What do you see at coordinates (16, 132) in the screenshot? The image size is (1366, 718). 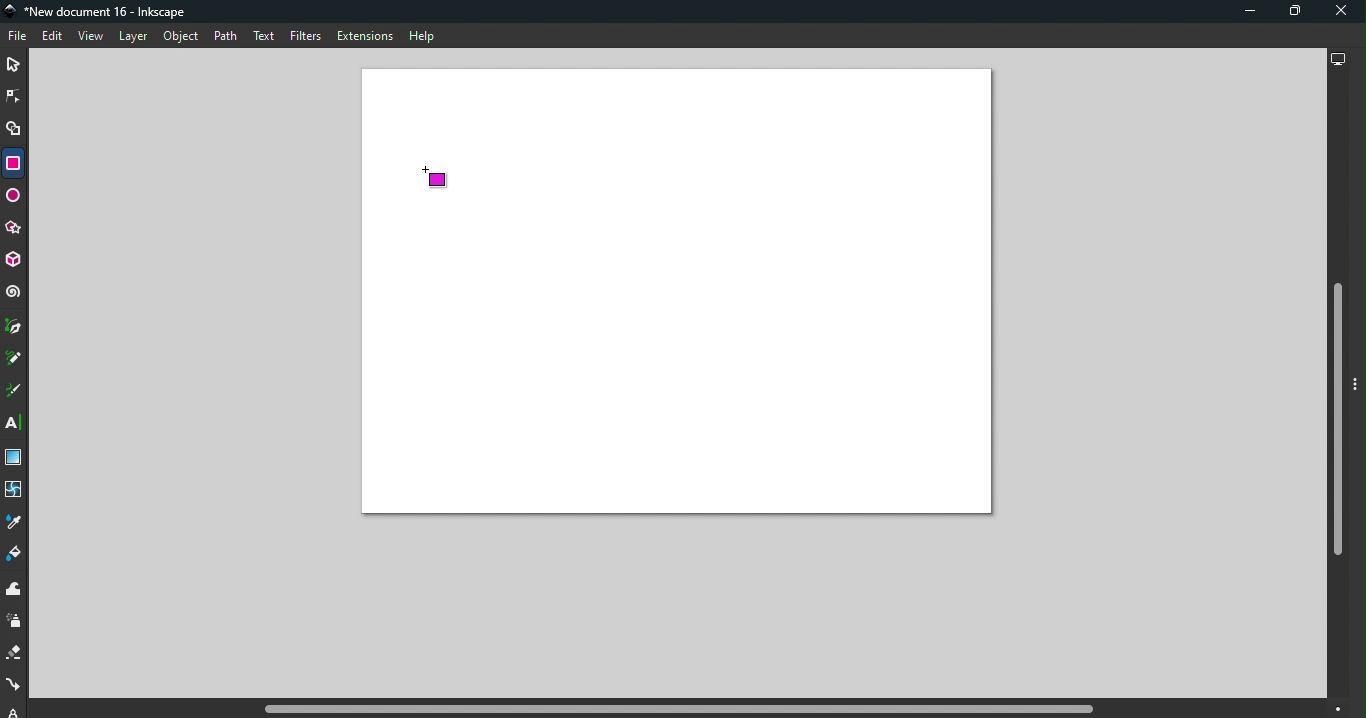 I see `Shape builder tool` at bounding box center [16, 132].